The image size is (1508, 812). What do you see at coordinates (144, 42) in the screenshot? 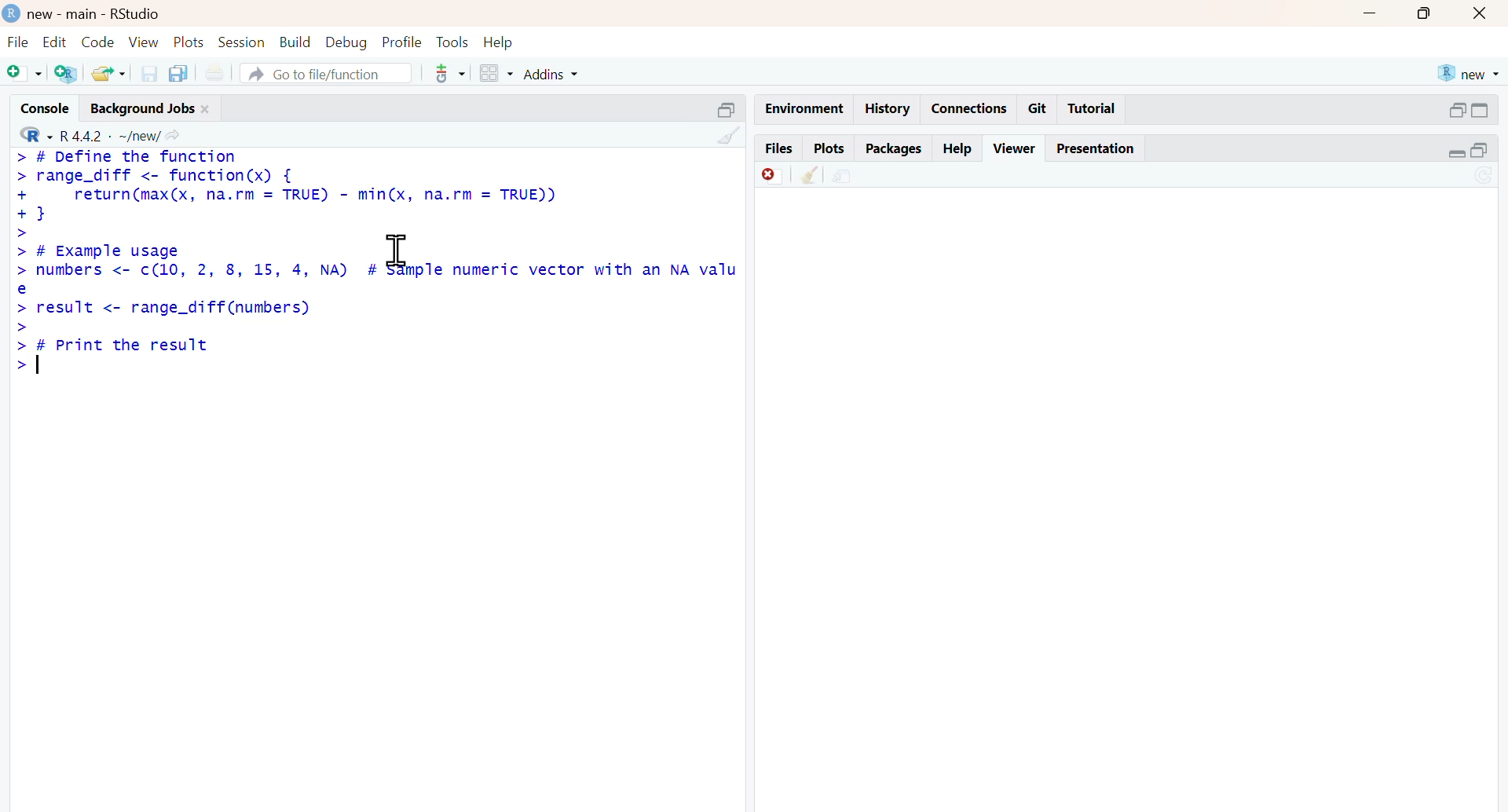
I see `view` at bounding box center [144, 42].